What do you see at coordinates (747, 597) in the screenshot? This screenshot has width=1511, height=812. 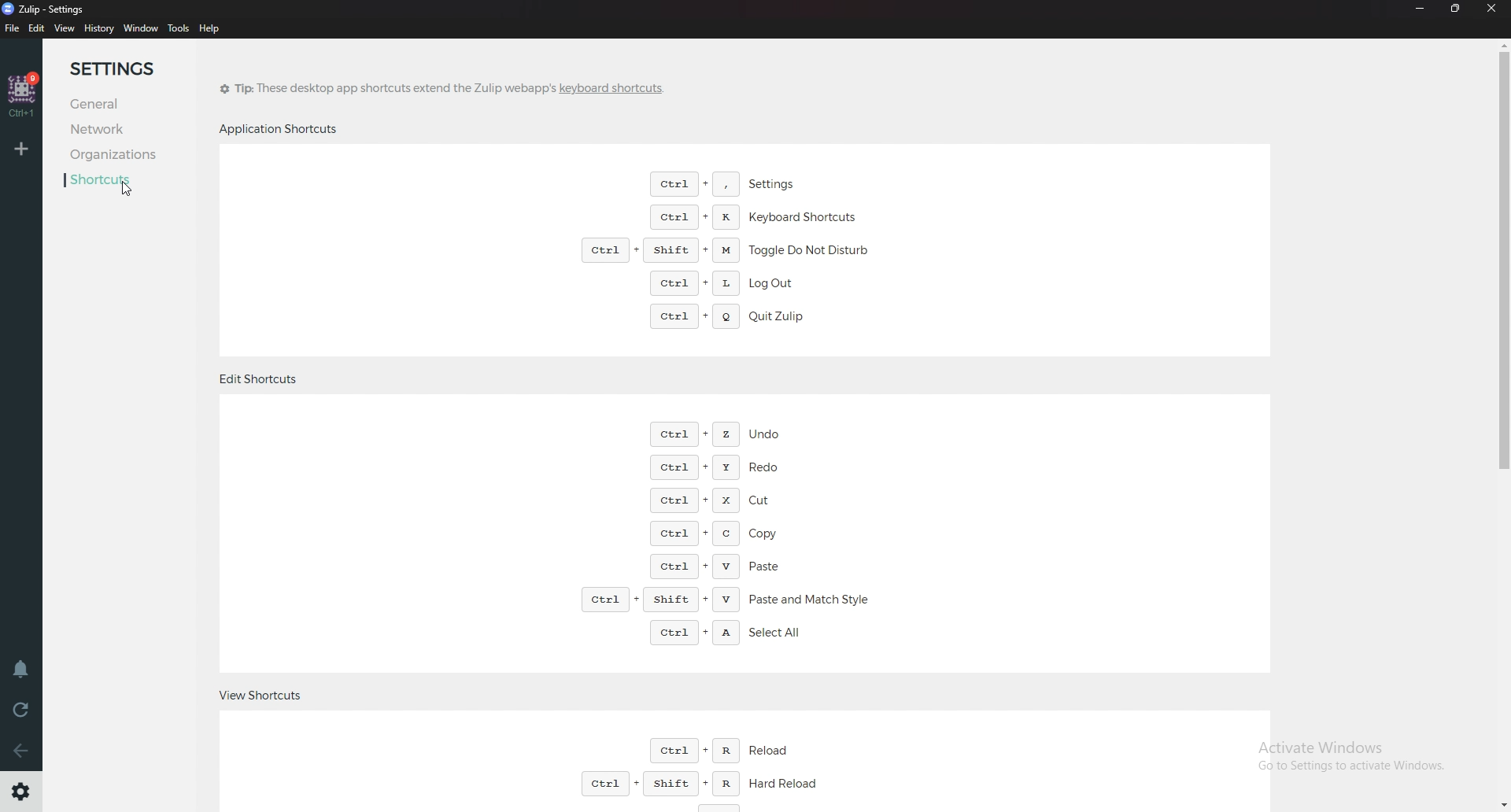 I see `Paste and match style` at bounding box center [747, 597].